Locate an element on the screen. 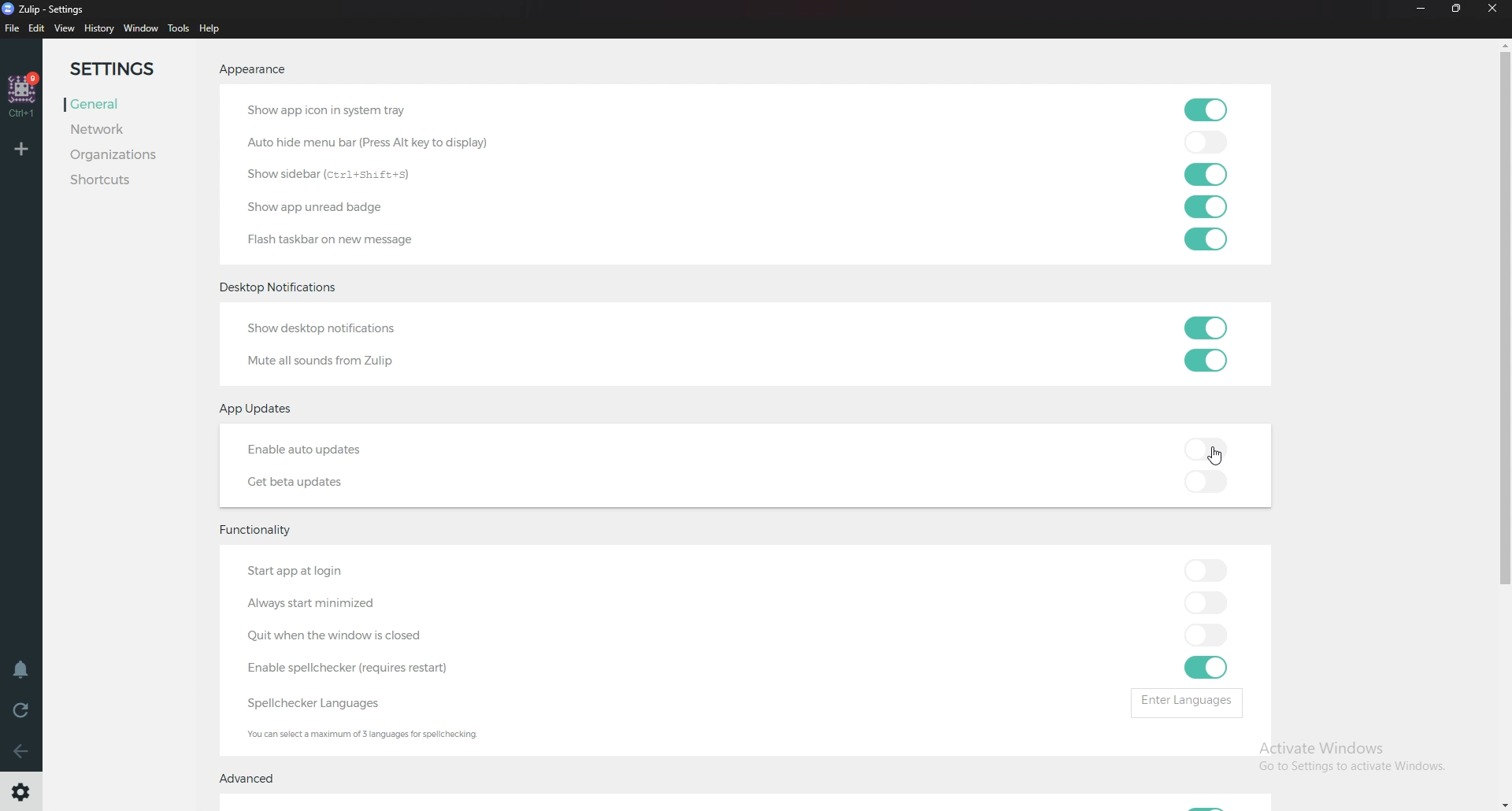  toggle is located at coordinates (1203, 569).